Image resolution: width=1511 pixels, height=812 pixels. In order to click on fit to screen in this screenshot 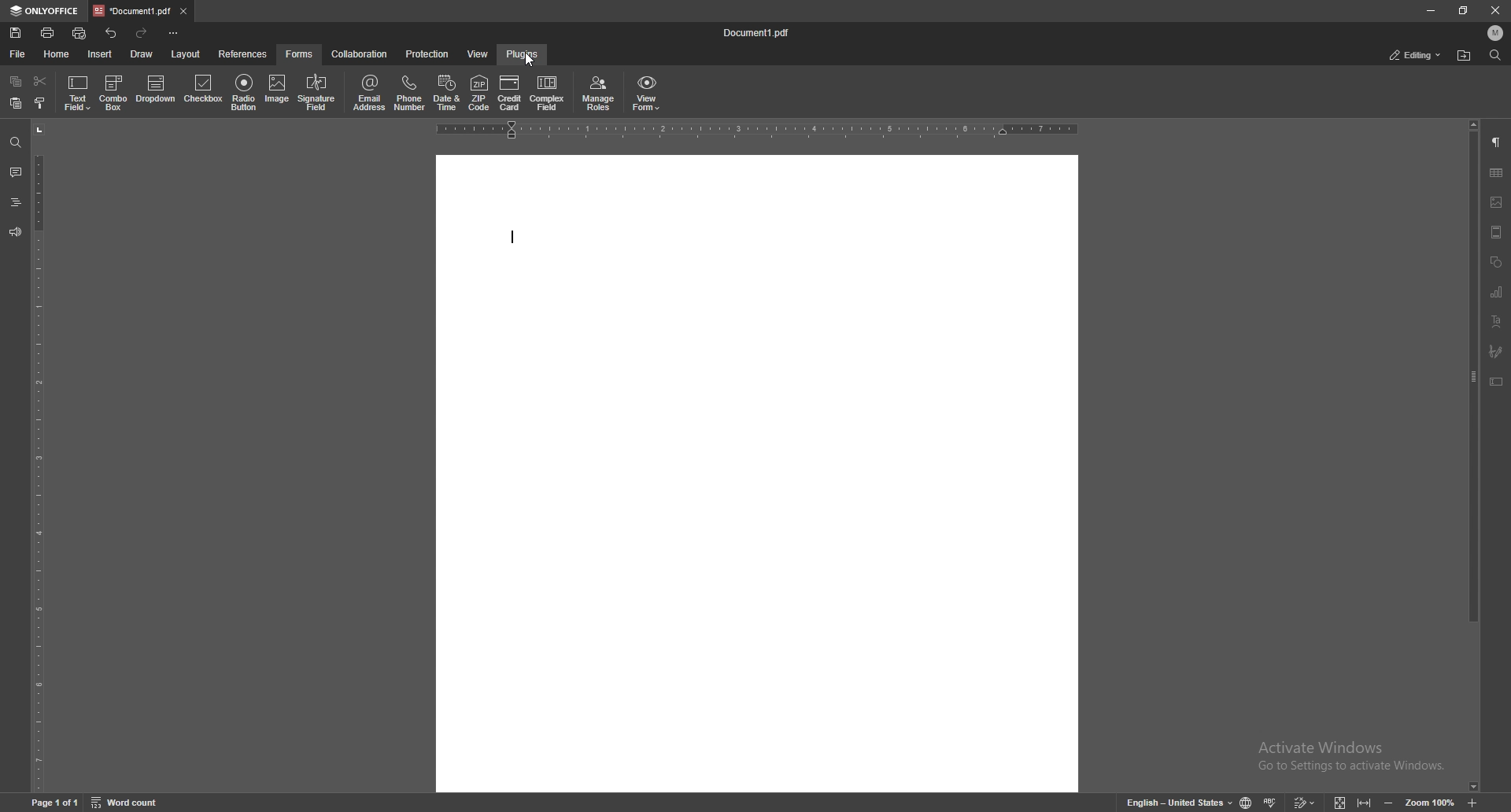, I will do `click(1339, 803)`.